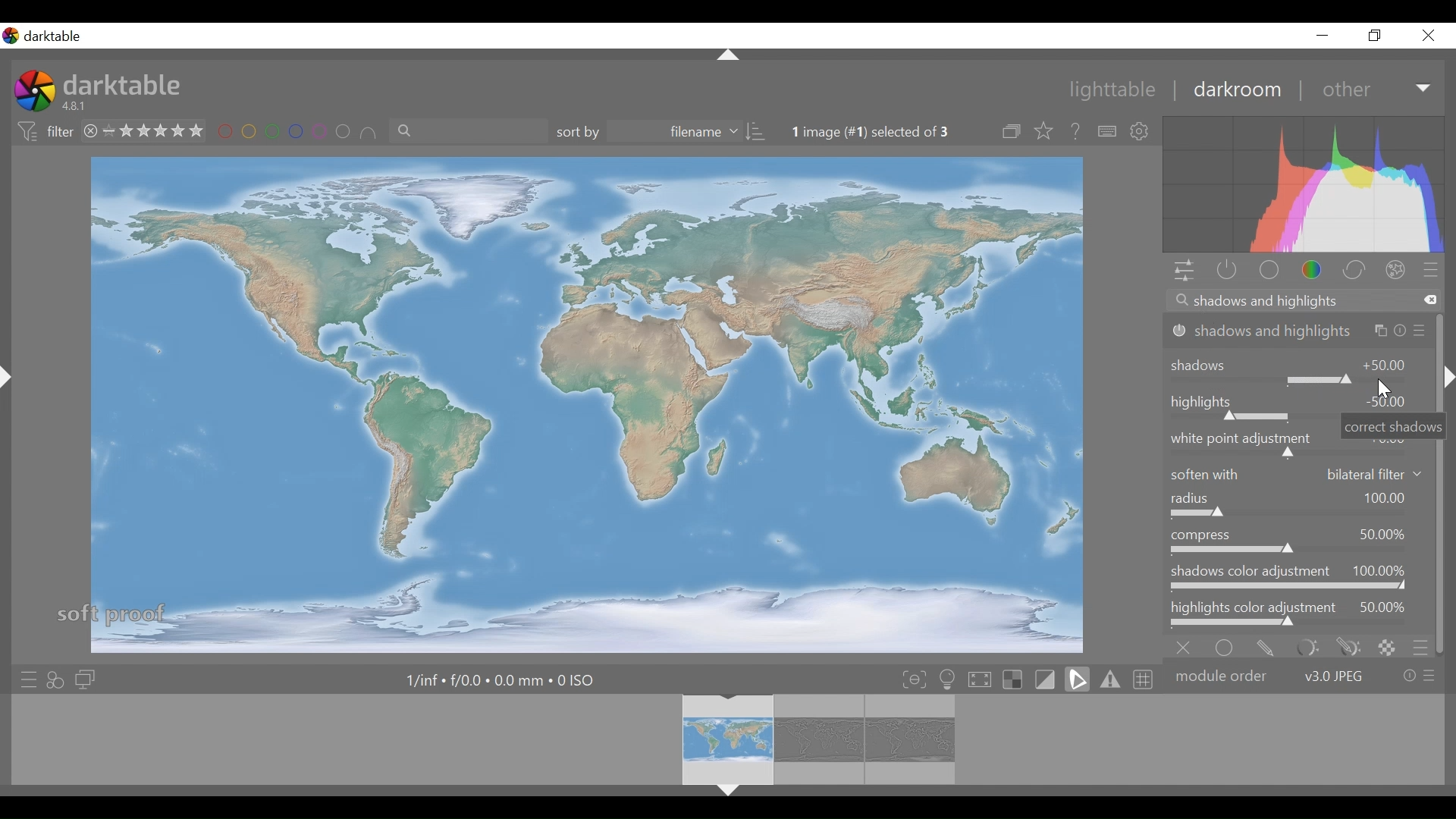 The height and width of the screenshot is (819, 1456). I want to click on Version, so click(78, 107).